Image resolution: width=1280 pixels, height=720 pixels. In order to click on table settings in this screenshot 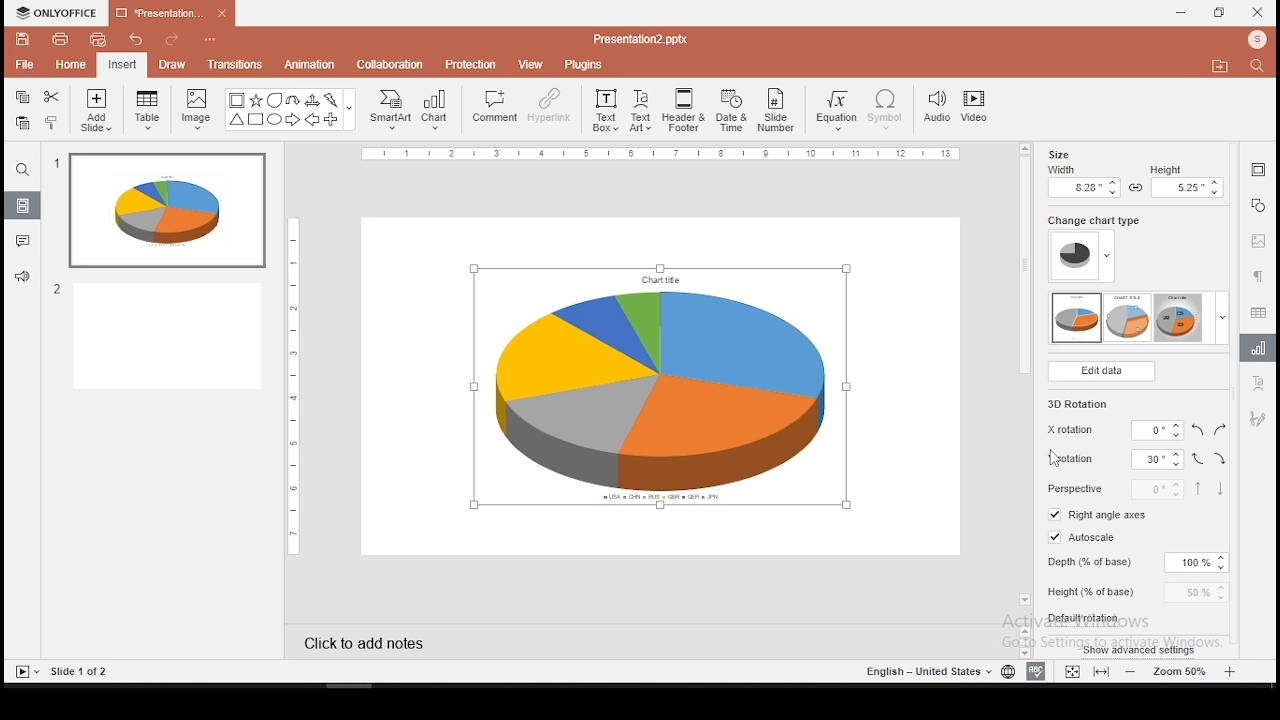, I will do `click(1257, 310)`.